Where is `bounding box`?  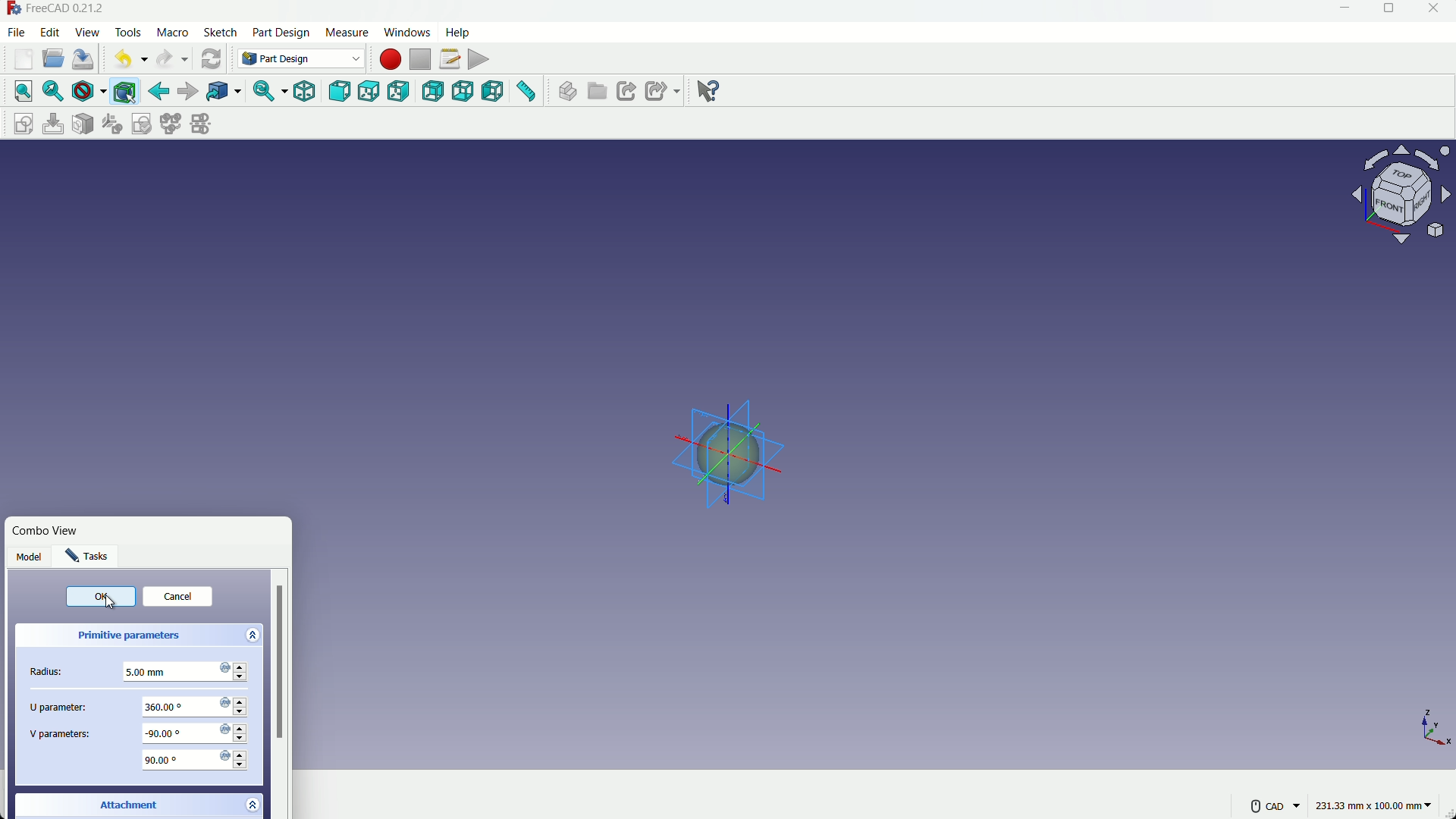 bounding box is located at coordinates (124, 93).